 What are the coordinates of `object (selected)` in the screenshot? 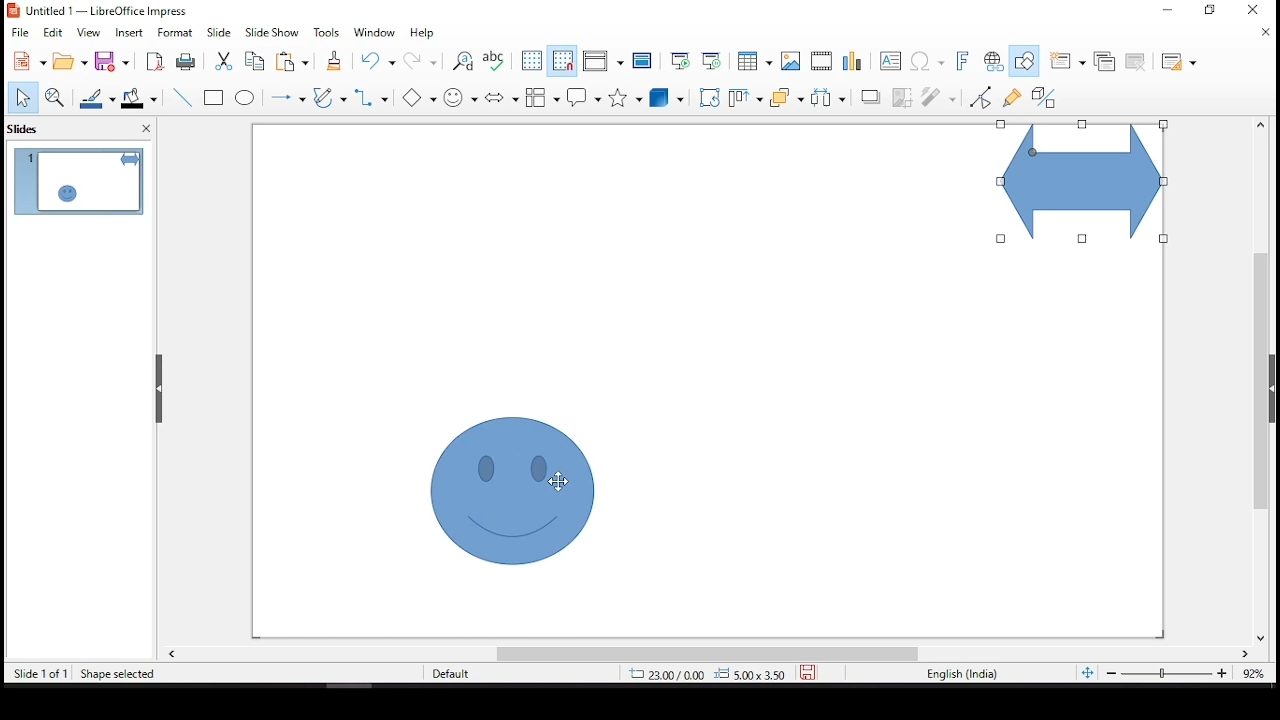 It's located at (1078, 184).